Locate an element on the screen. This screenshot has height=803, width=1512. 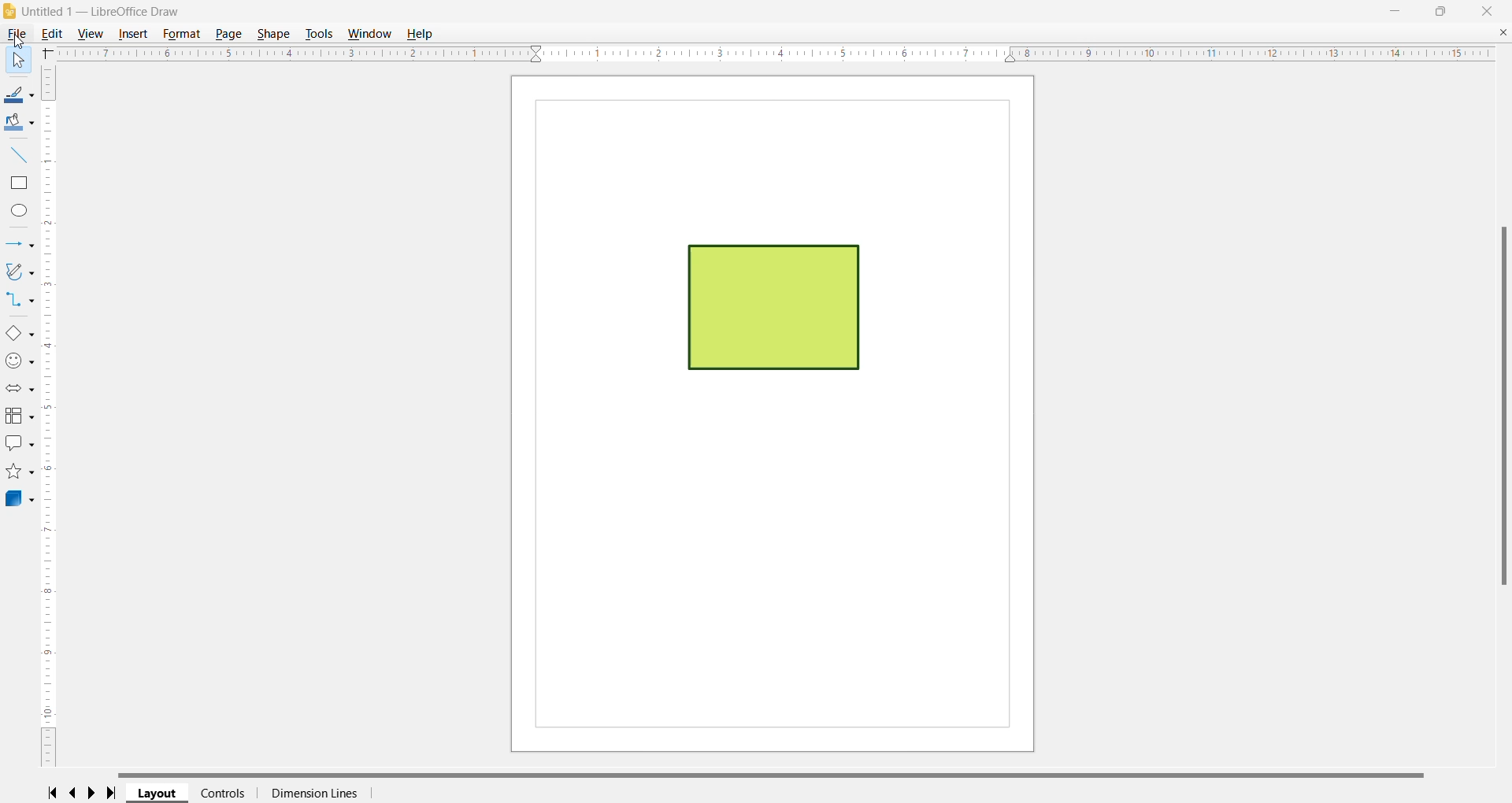
Line Color is located at coordinates (18, 96).